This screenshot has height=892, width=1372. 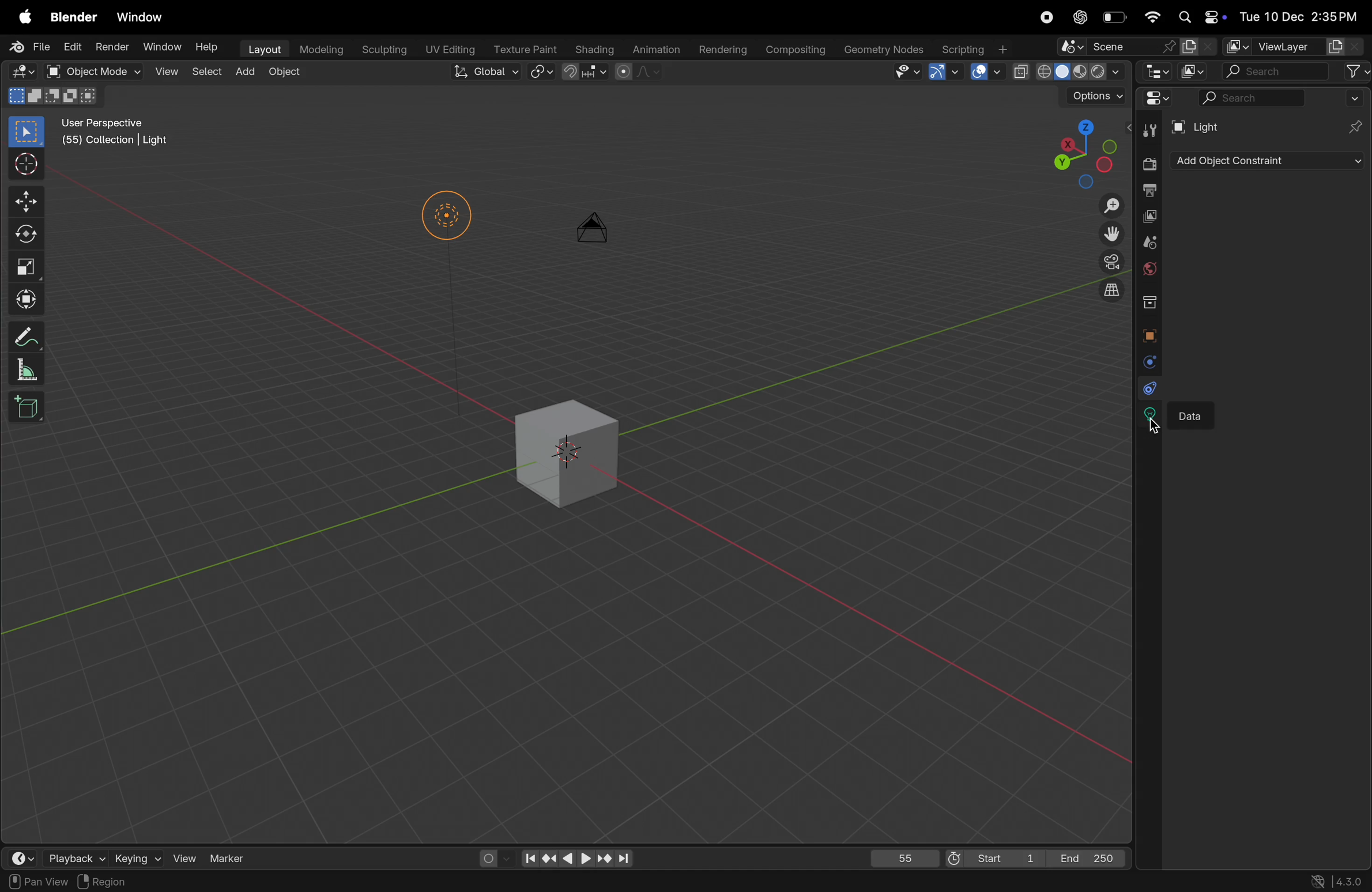 I want to click on Lights, so click(x=447, y=219).